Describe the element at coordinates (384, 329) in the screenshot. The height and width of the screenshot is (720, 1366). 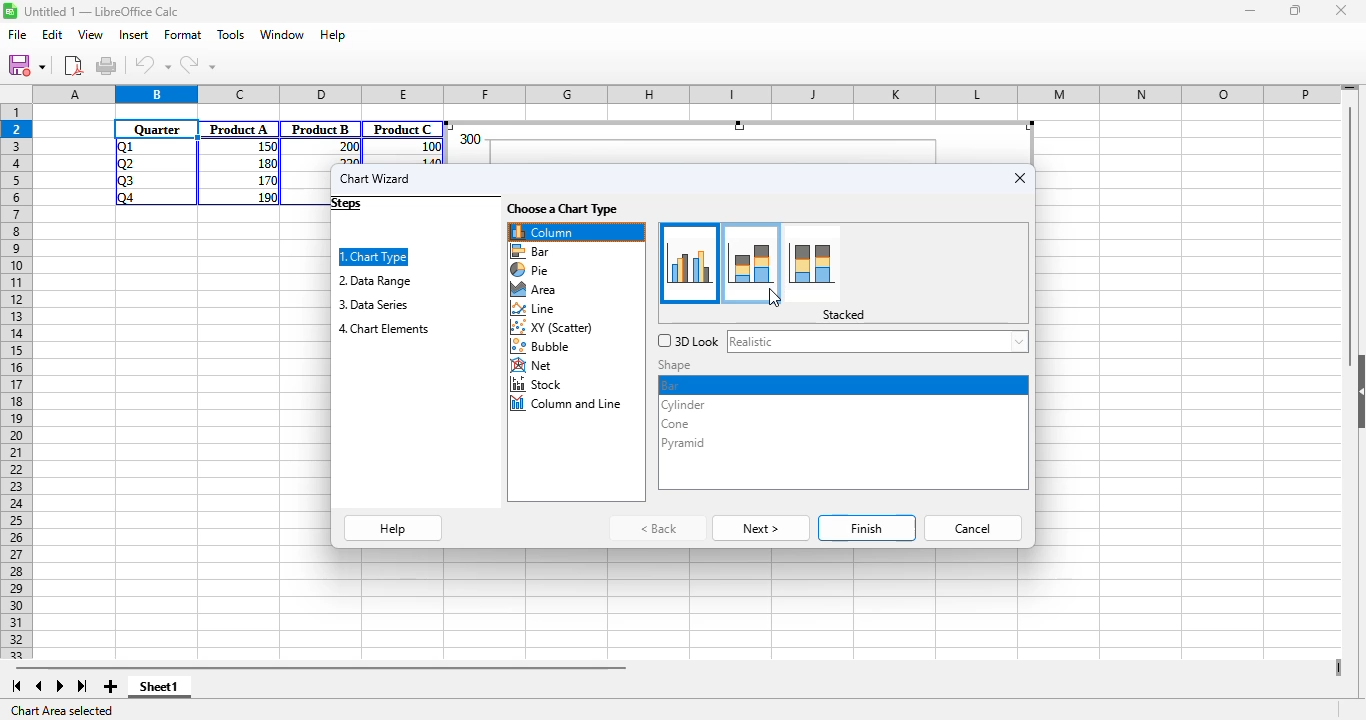
I see `4. chart elements` at that location.